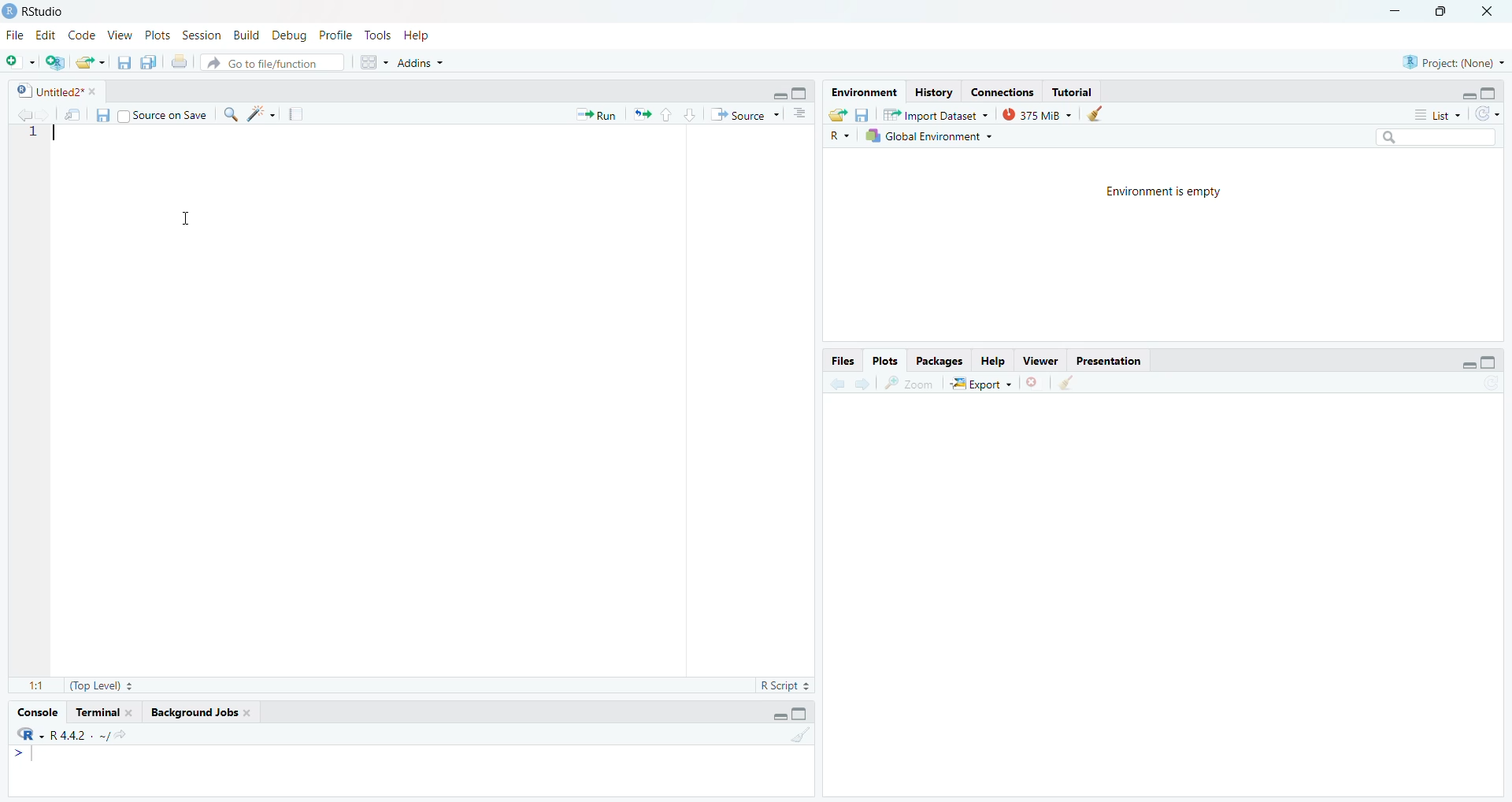  Describe the element at coordinates (1490, 91) in the screenshot. I see `hide console` at that location.